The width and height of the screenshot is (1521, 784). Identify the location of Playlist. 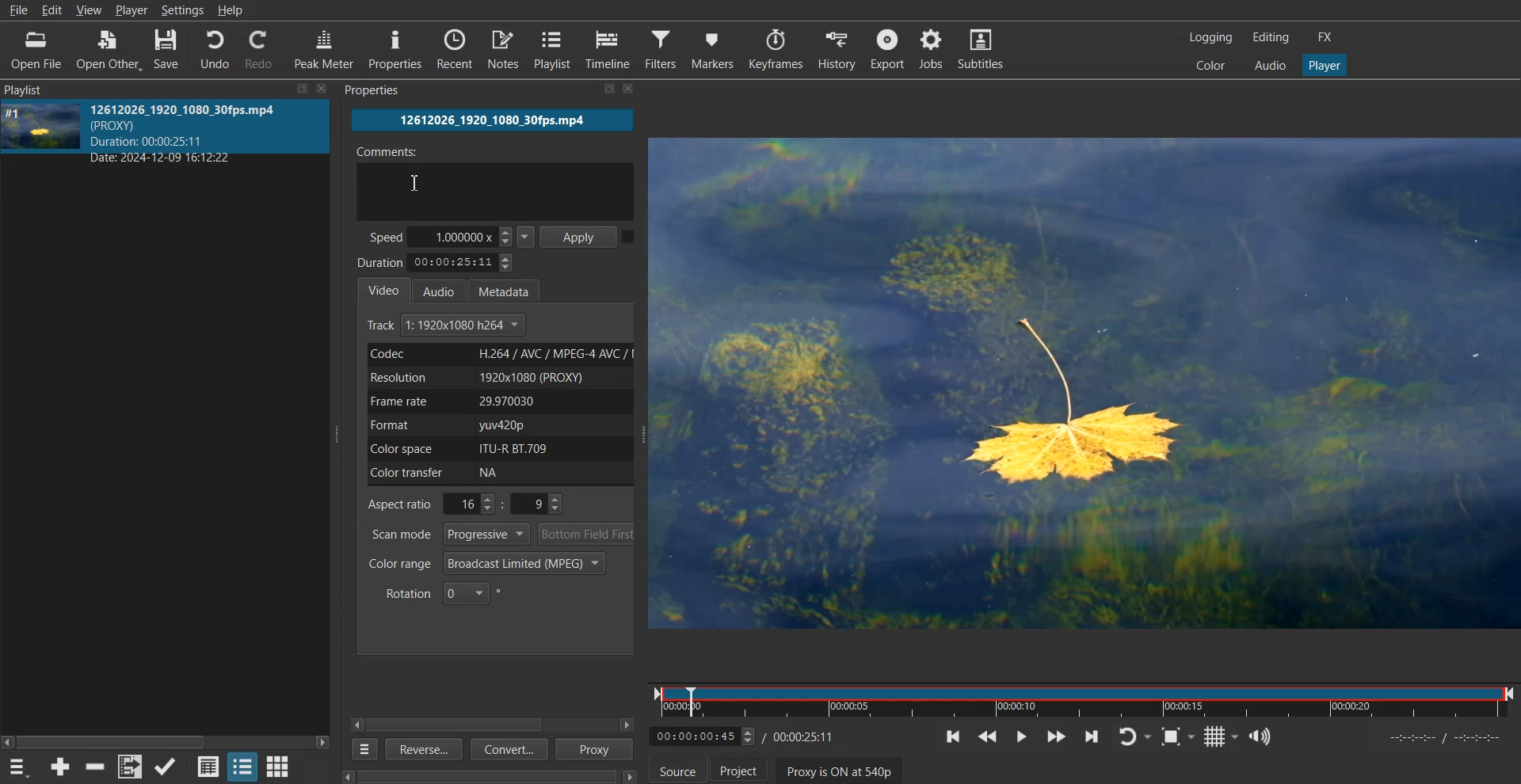
(554, 49).